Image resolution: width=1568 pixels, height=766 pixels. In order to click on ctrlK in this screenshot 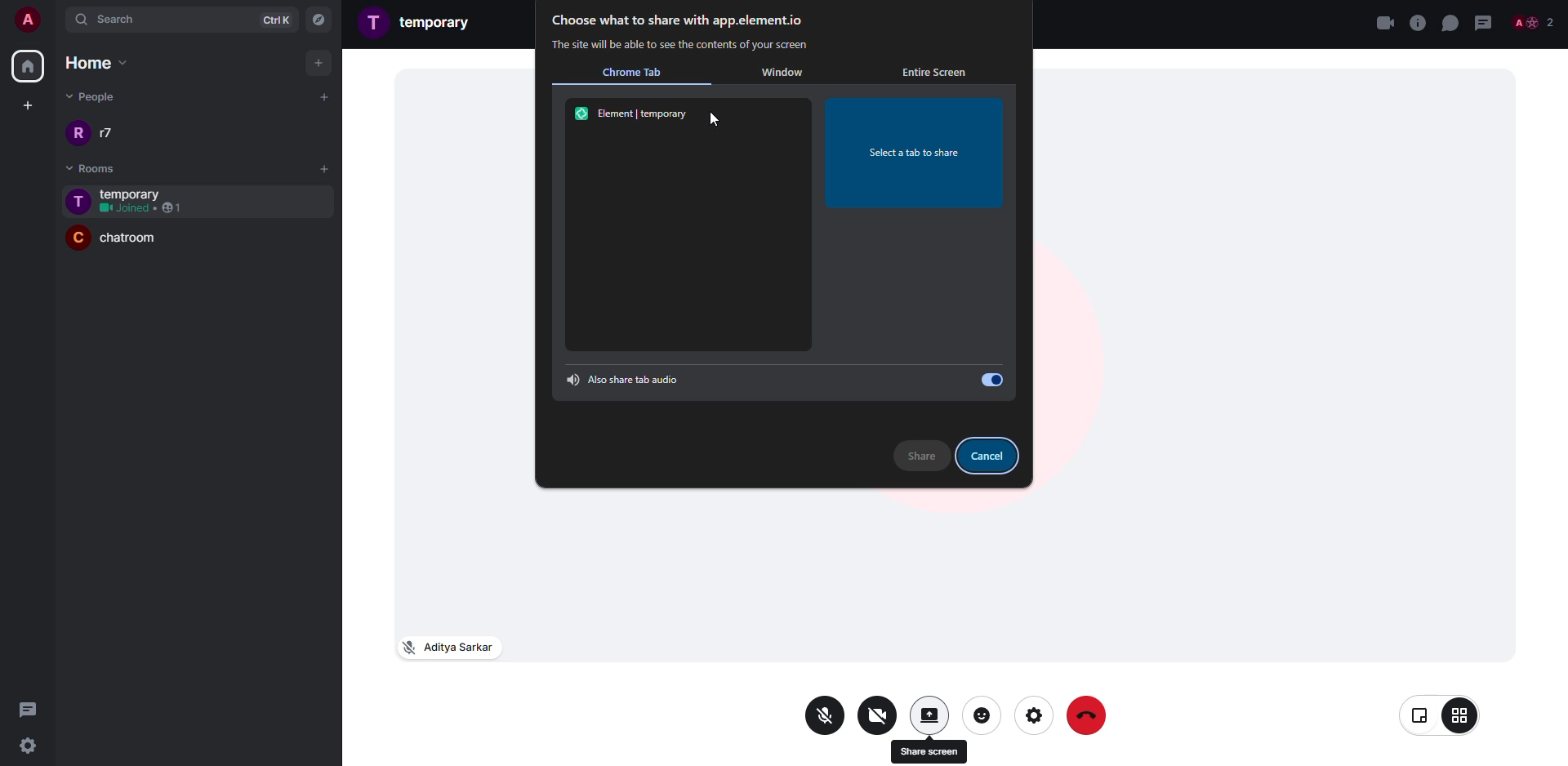, I will do `click(271, 19)`.